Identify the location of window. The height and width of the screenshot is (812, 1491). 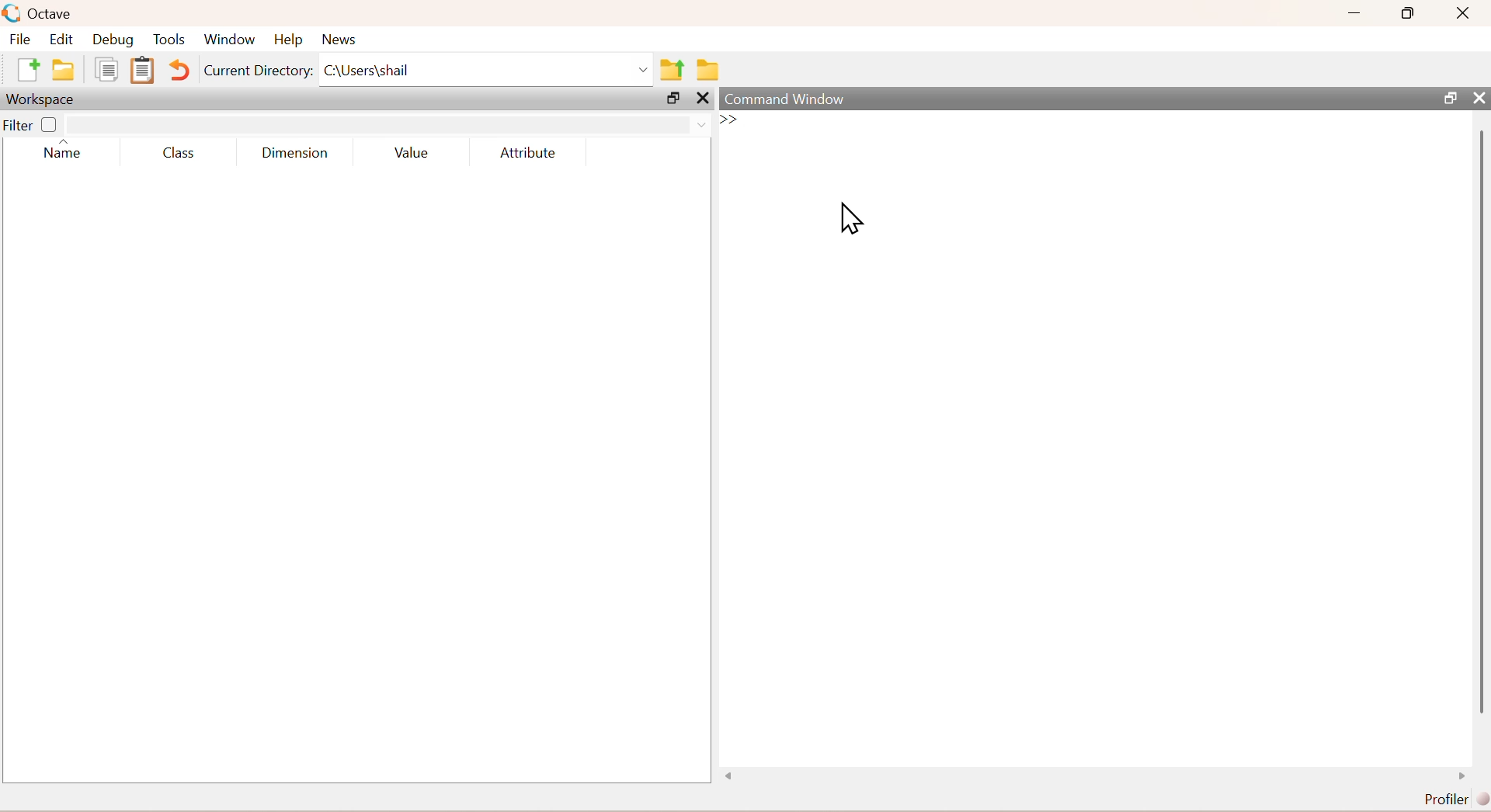
(230, 40).